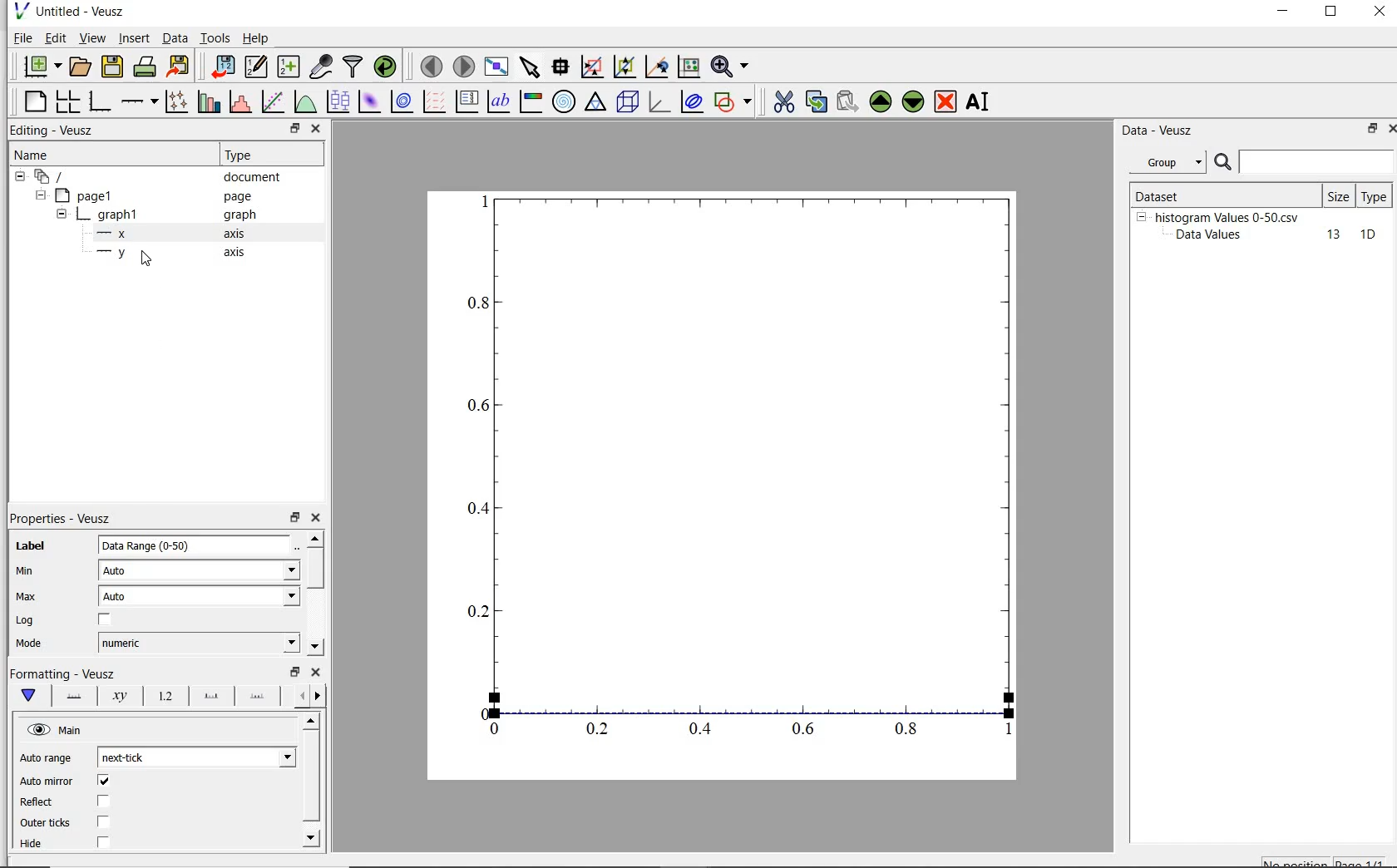  What do you see at coordinates (216, 37) in the screenshot?
I see `tools ` at bounding box center [216, 37].